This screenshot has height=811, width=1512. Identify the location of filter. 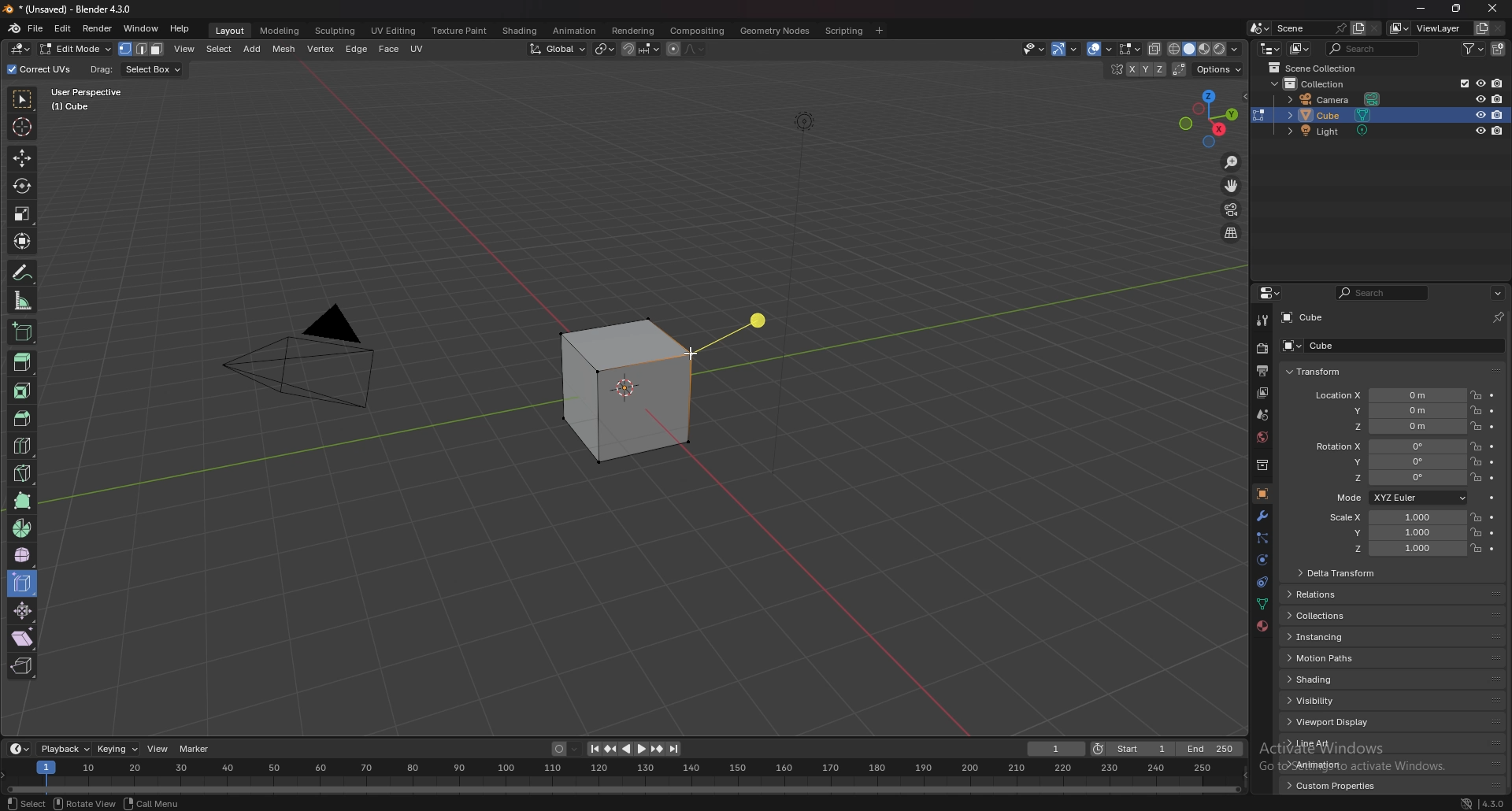
(1475, 48).